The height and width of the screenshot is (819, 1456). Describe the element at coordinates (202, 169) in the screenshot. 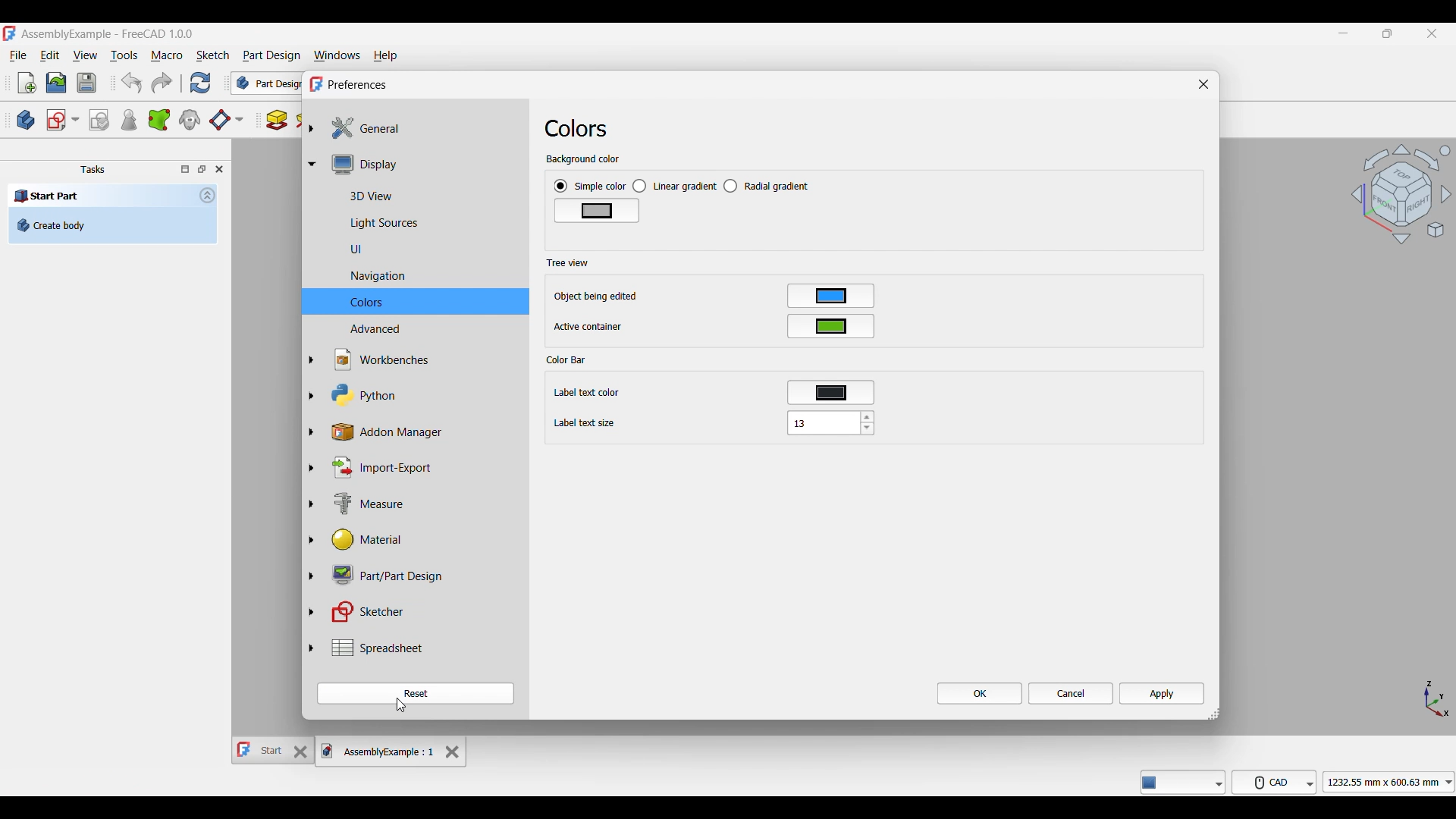

I see `Toggle floating window` at that location.